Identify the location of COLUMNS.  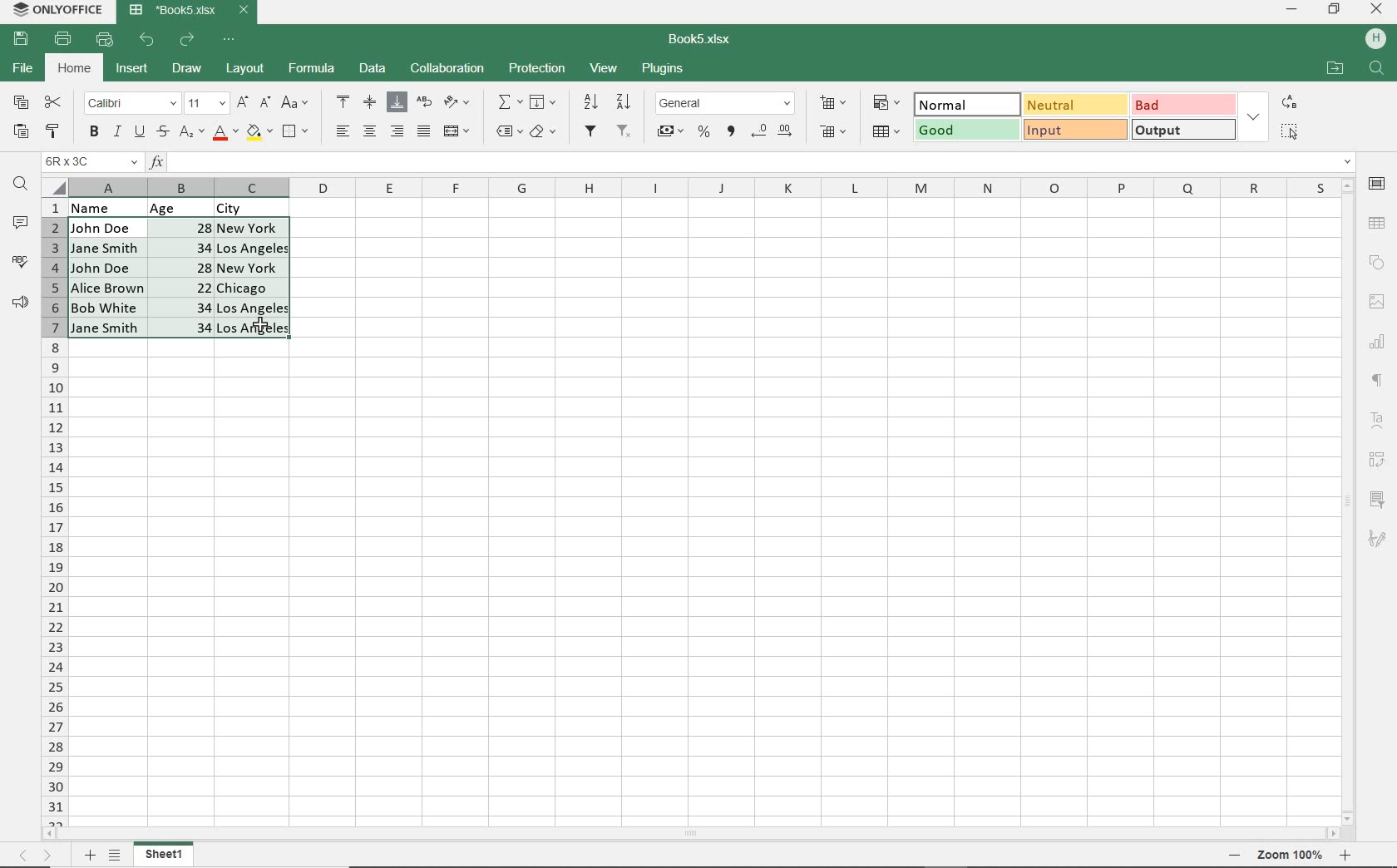
(701, 187).